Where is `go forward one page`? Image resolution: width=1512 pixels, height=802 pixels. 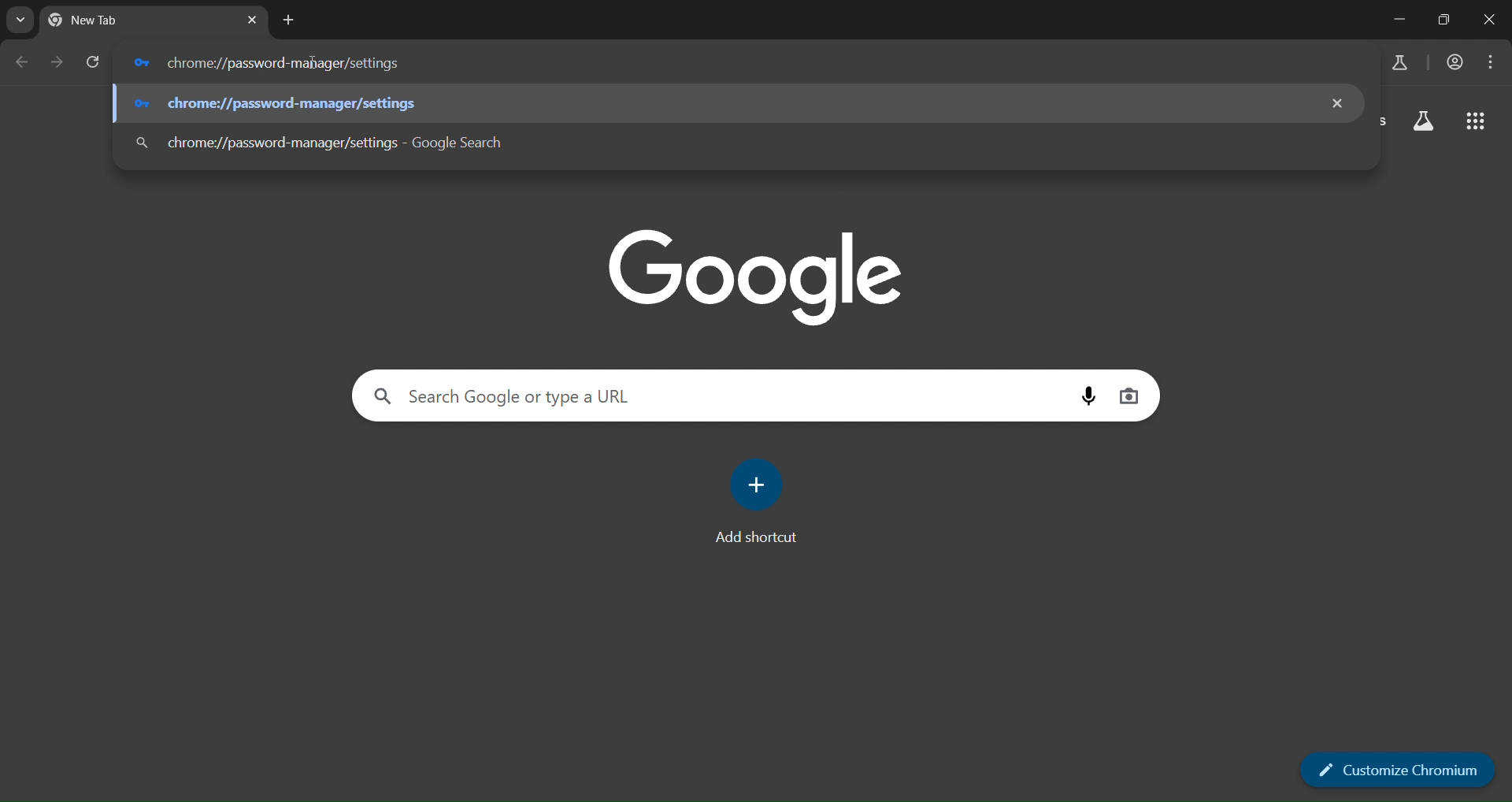
go forward one page is located at coordinates (56, 64).